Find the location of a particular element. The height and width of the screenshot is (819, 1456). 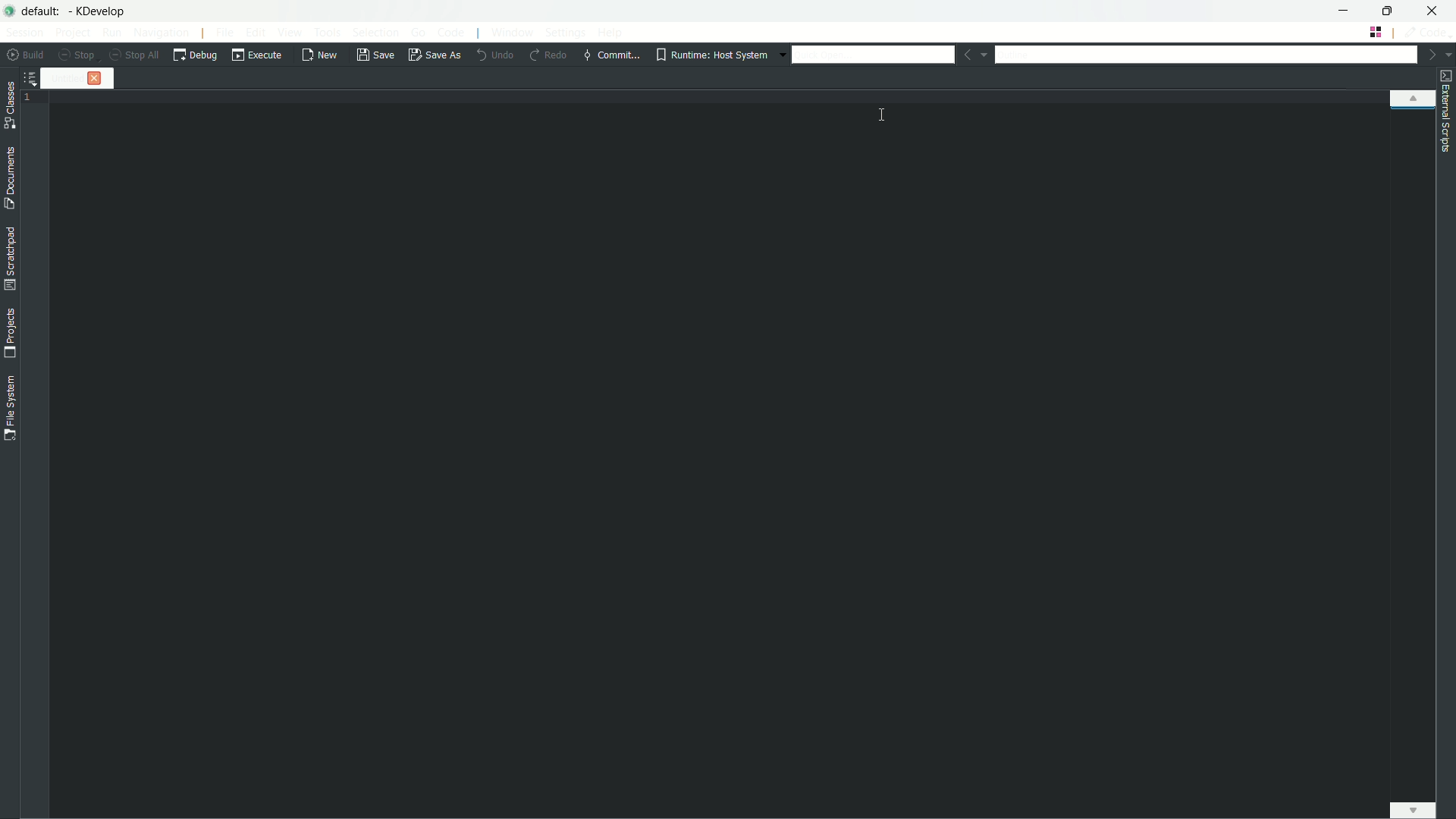

save as is located at coordinates (435, 55).